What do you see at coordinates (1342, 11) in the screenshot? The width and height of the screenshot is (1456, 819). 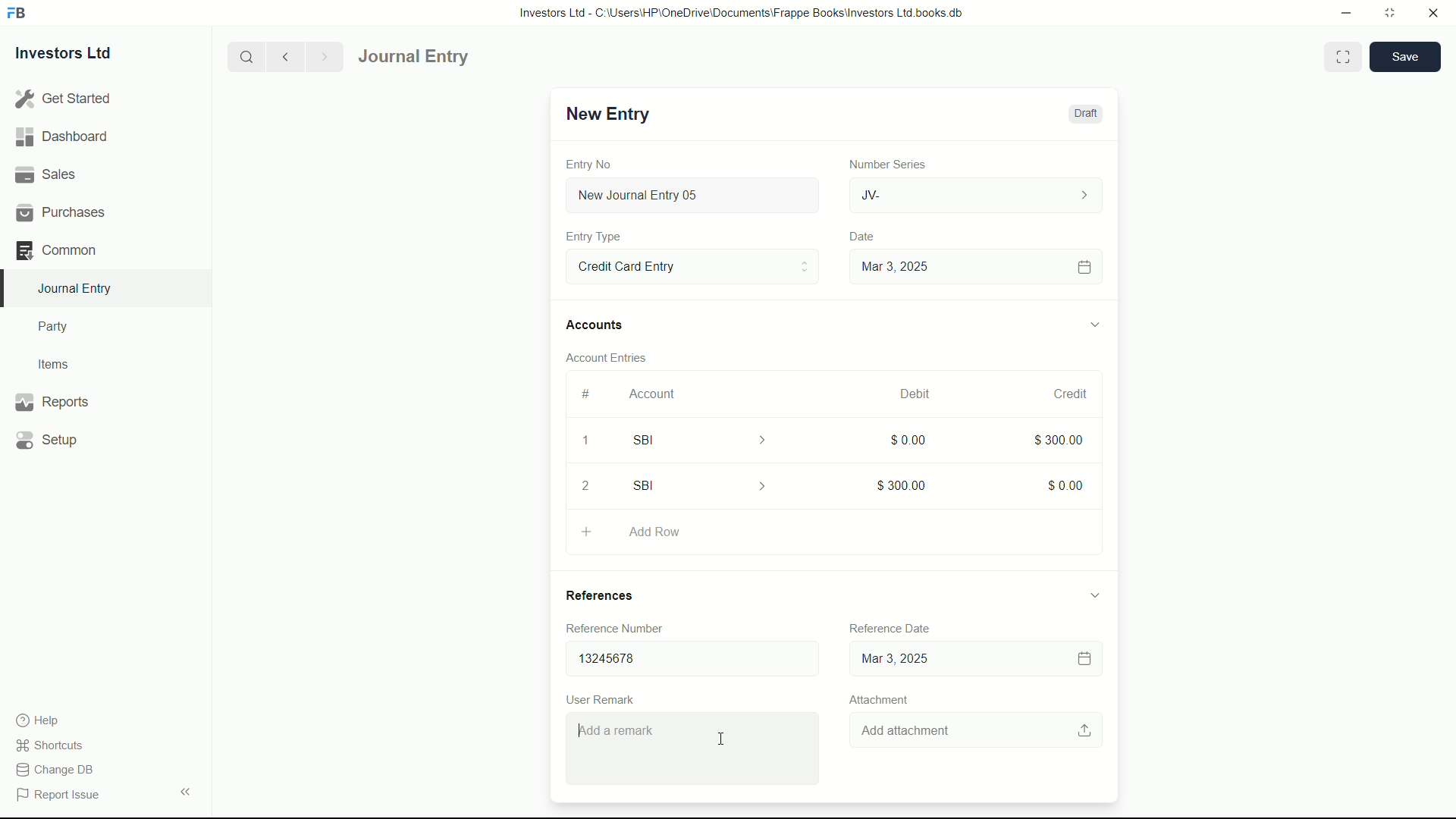 I see `minimize` at bounding box center [1342, 11].